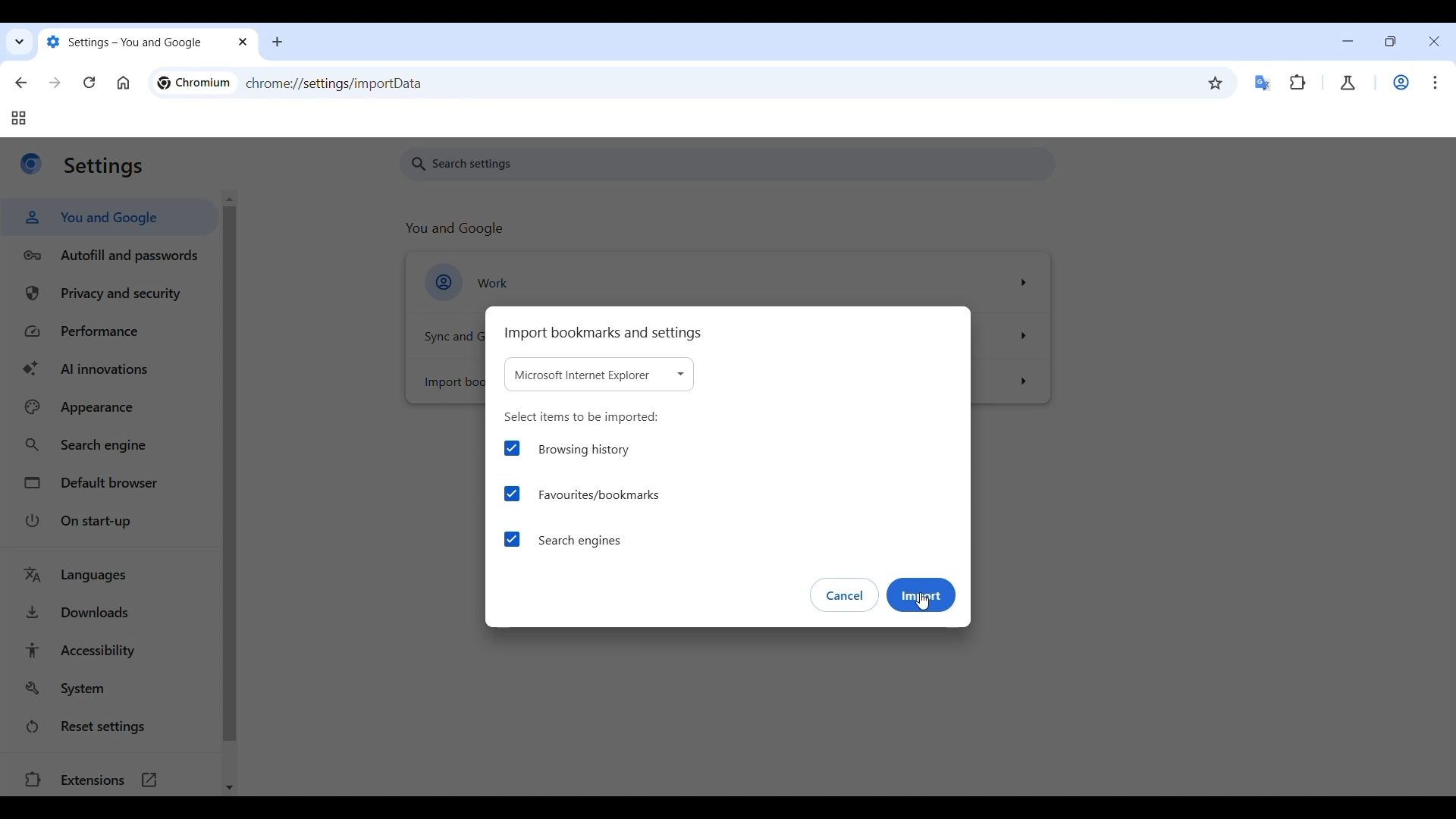 This screenshot has height=819, width=1456. Describe the element at coordinates (113, 407) in the screenshot. I see `Appearance` at that location.